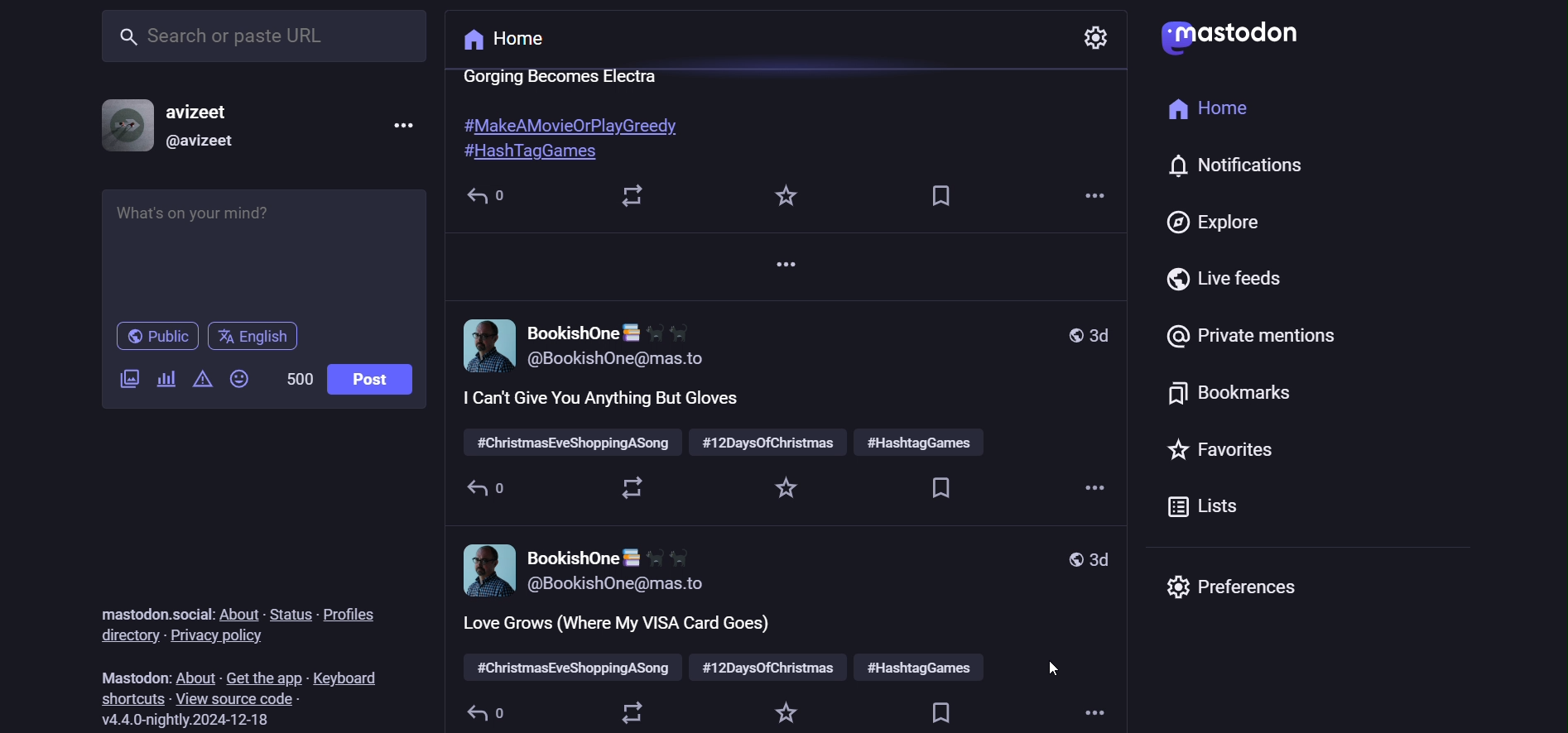 The height and width of the screenshot is (733, 1568). I want to click on source code, so click(237, 699).